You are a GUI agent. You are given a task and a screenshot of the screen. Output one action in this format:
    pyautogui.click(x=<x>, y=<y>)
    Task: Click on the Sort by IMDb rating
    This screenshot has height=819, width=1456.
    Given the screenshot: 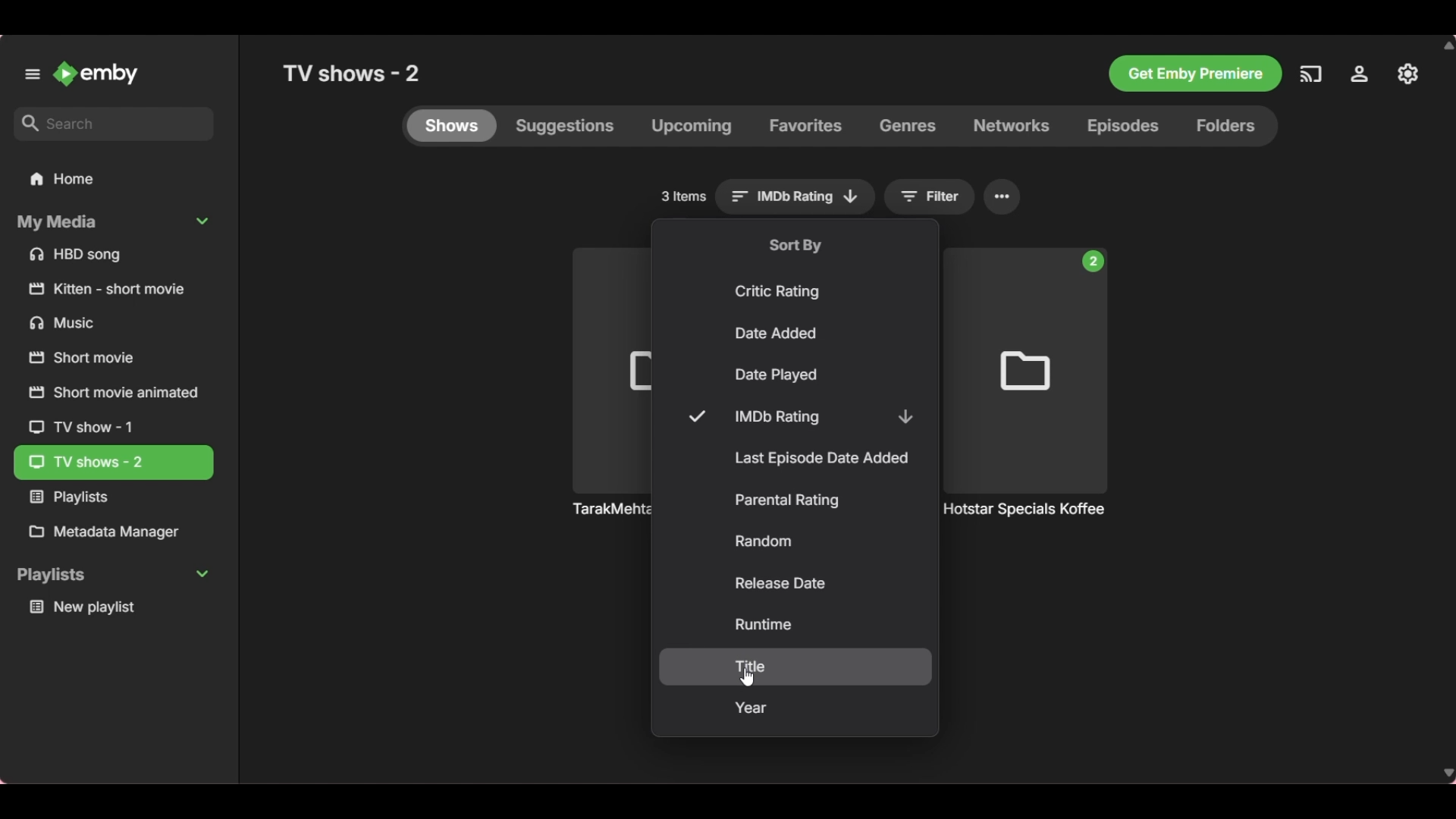 What is the action you would take?
    pyautogui.click(x=800, y=416)
    